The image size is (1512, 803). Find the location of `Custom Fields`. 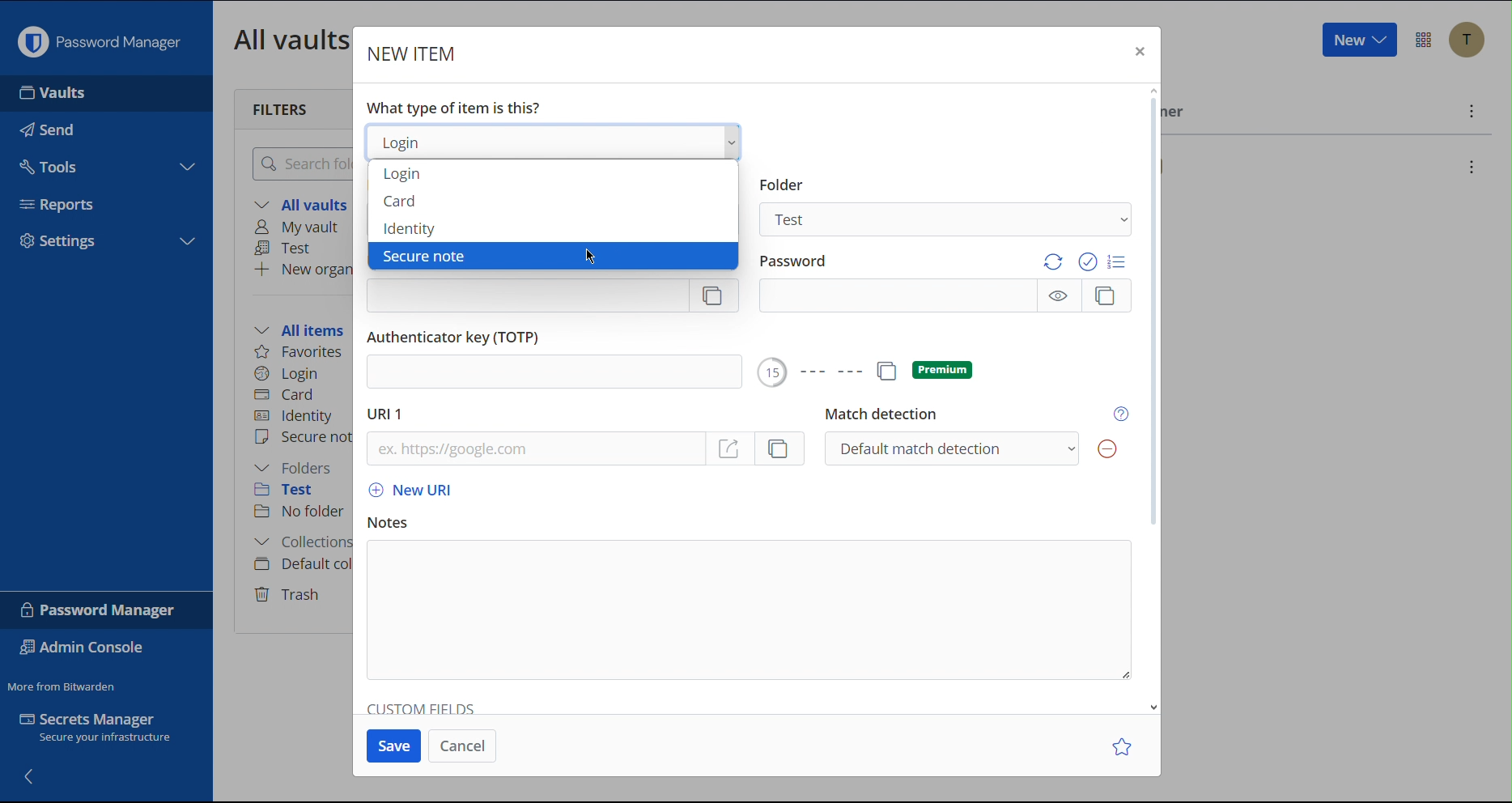

Custom Fields is located at coordinates (423, 705).